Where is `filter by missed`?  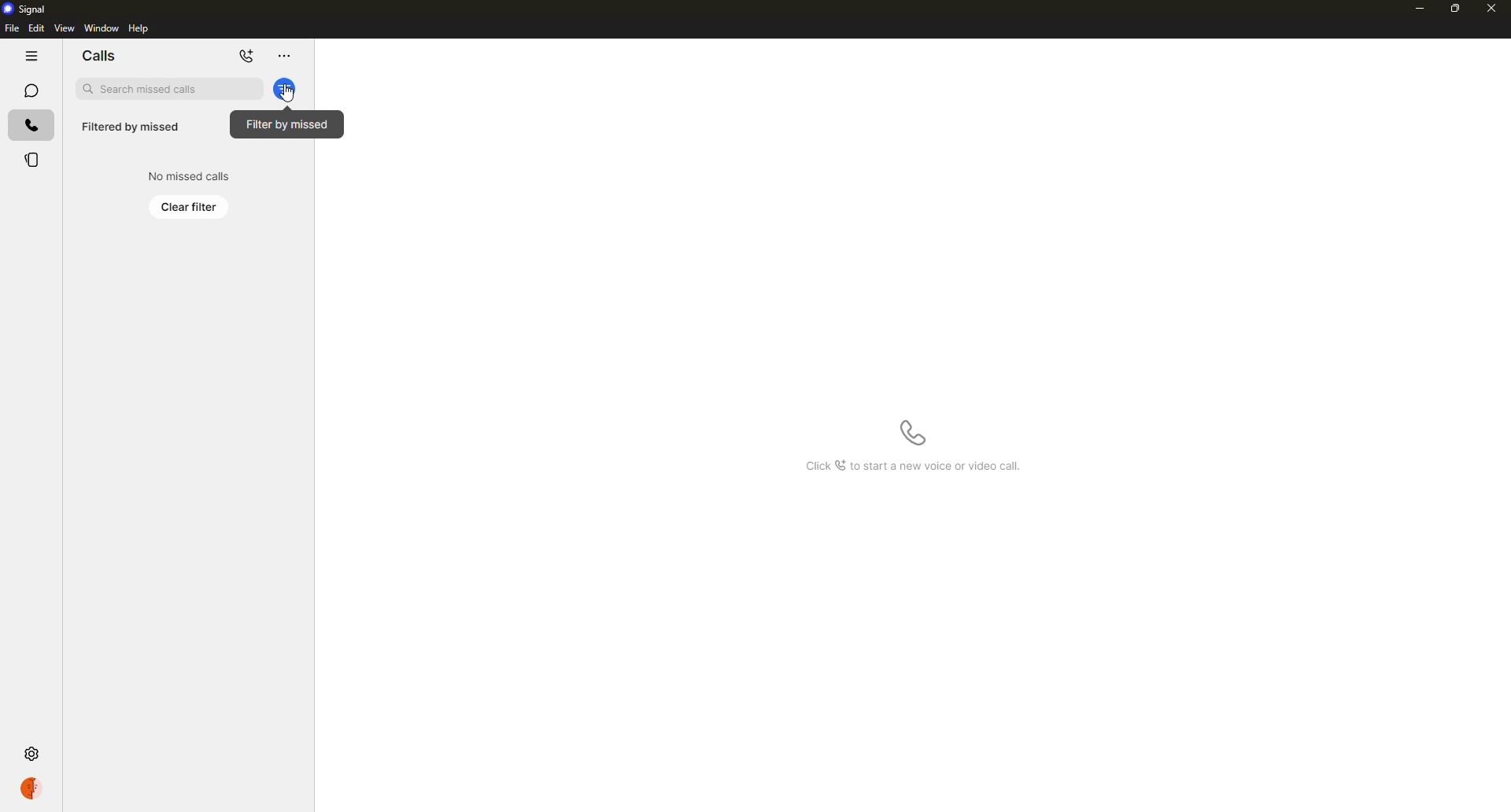
filter by missed is located at coordinates (285, 89).